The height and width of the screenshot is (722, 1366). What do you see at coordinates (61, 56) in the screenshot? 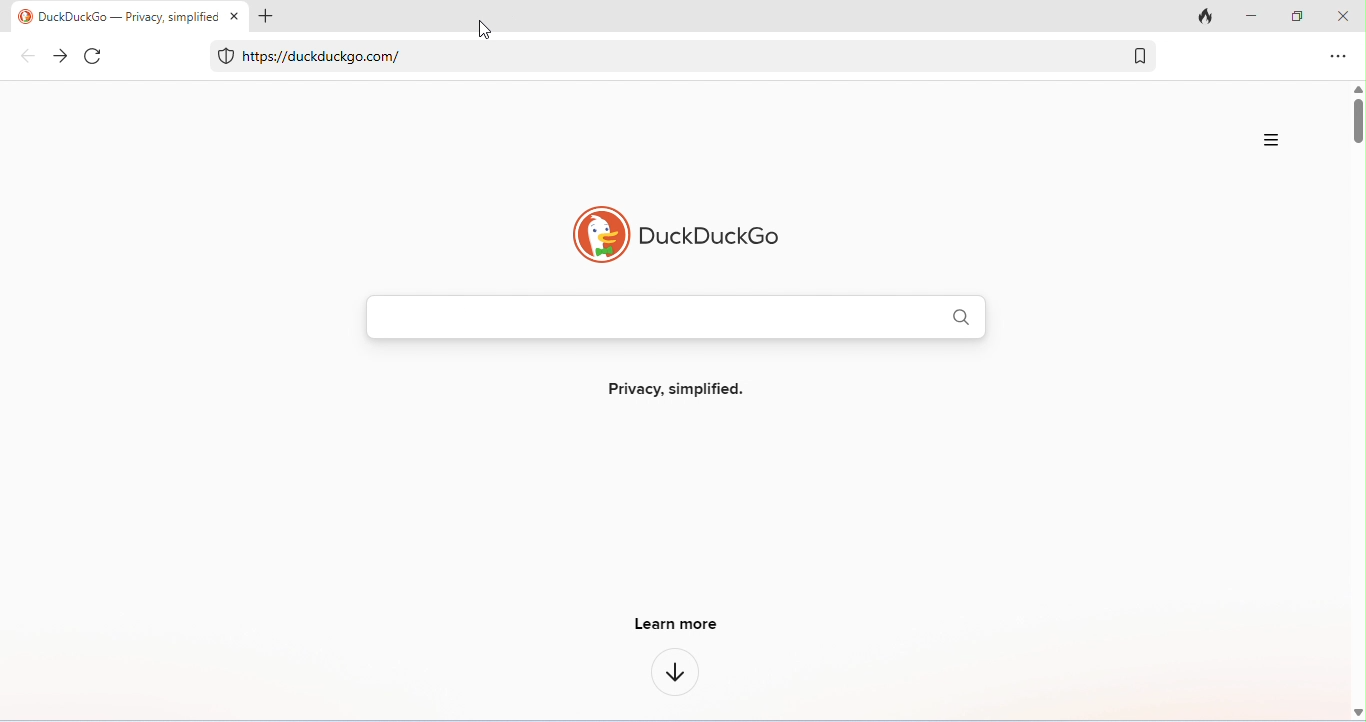
I see `color change in forward` at bounding box center [61, 56].